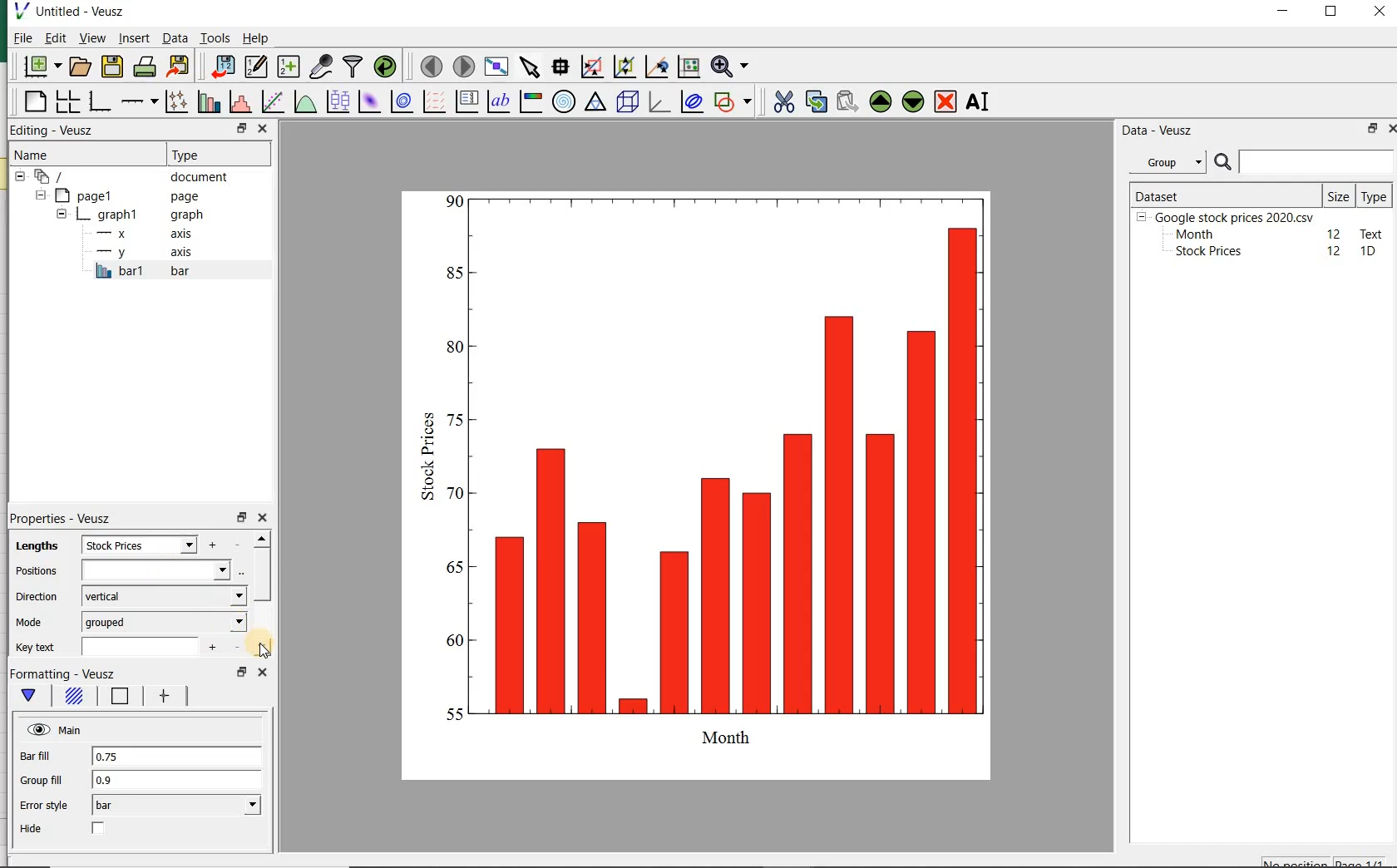  Describe the element at coordinates (121, 196) in the screenshot. I see `page1` at that location.